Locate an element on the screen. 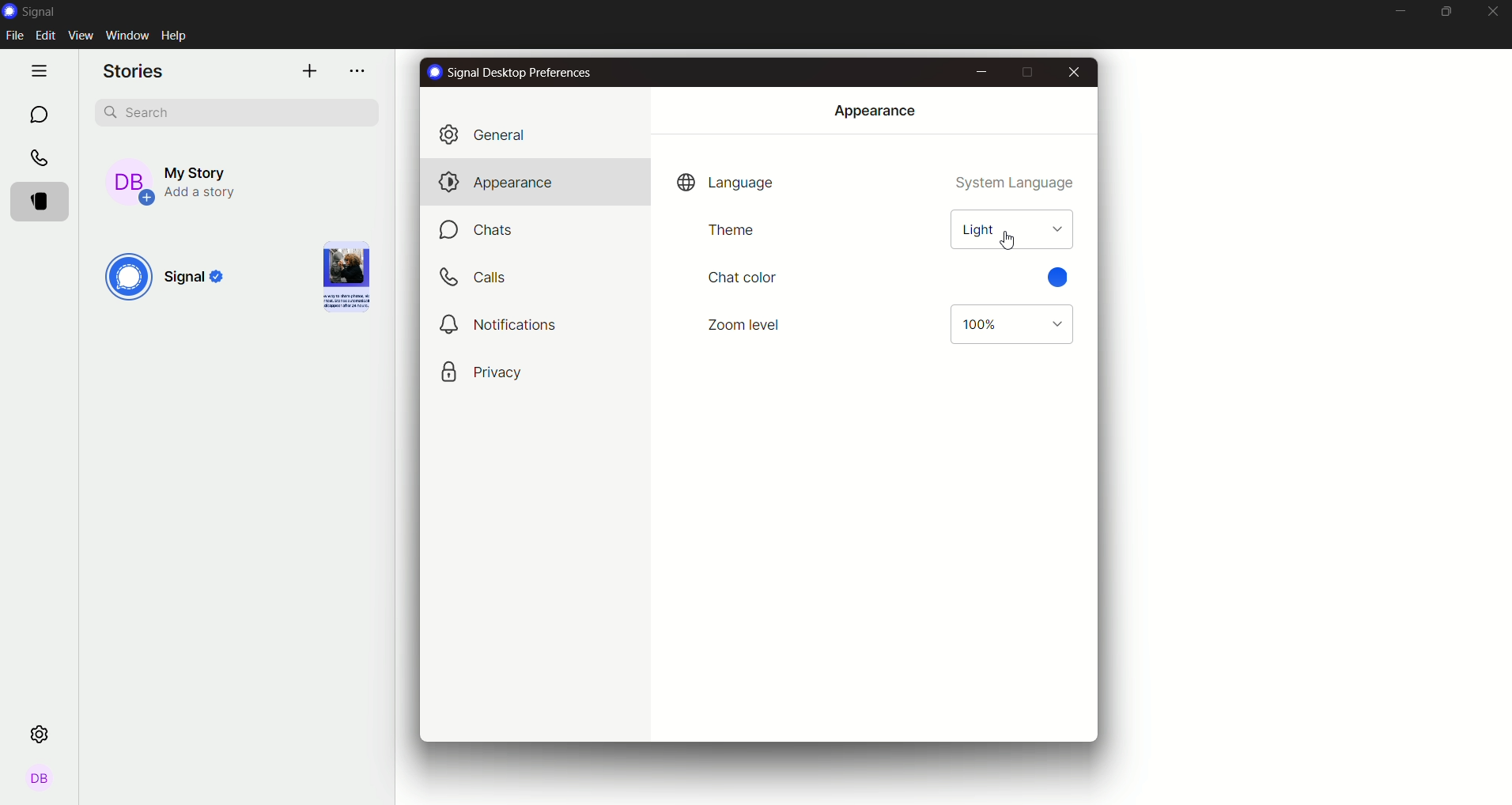  language is located at coordinates (726, 183).